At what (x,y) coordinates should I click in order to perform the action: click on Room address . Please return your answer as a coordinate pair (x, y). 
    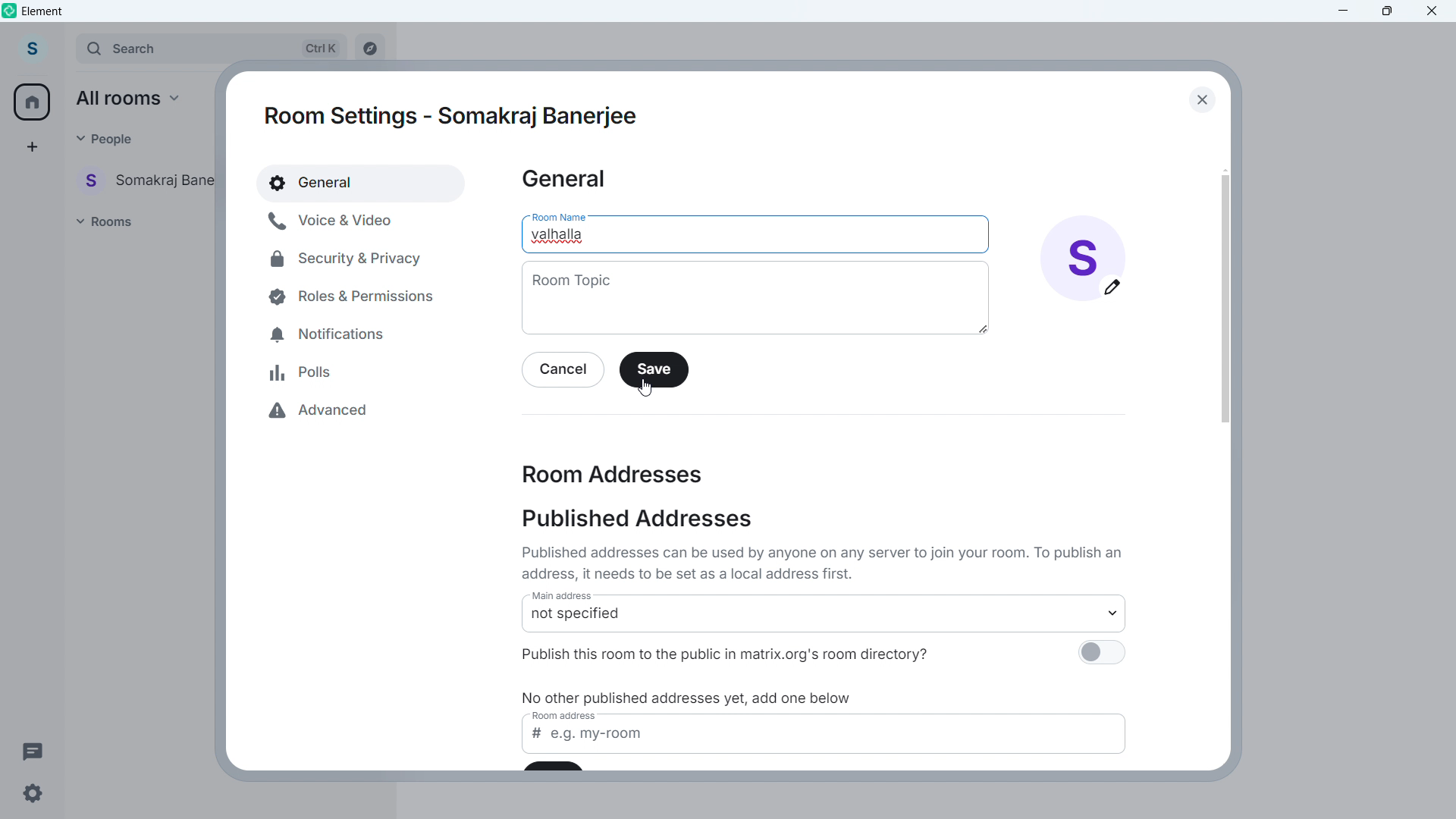
    Looking at the image, I should click on (613, 473).